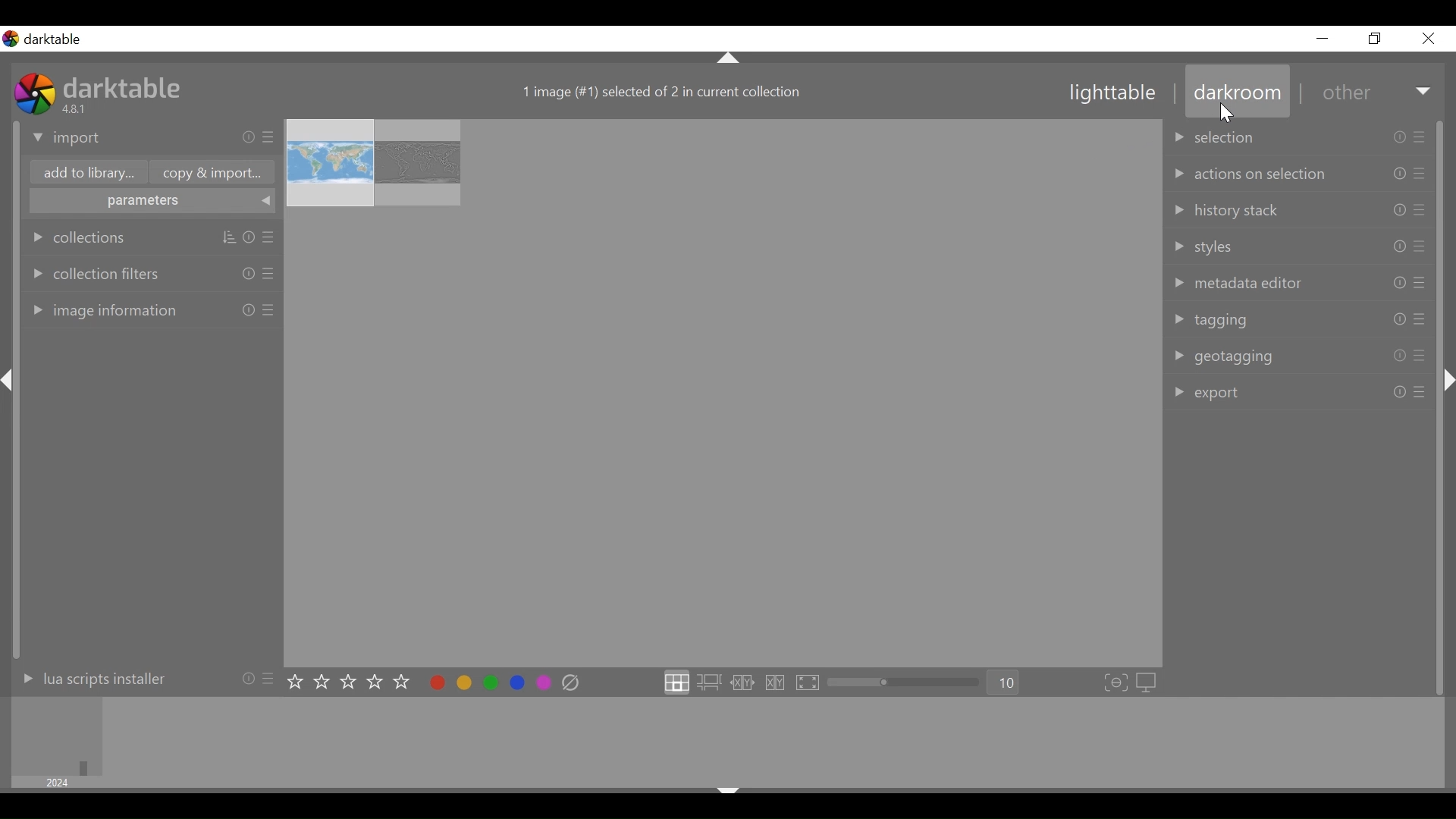 The height and width of the screenshot is (819, 1456). I want to click on Darktable logo, so click(45, 39).